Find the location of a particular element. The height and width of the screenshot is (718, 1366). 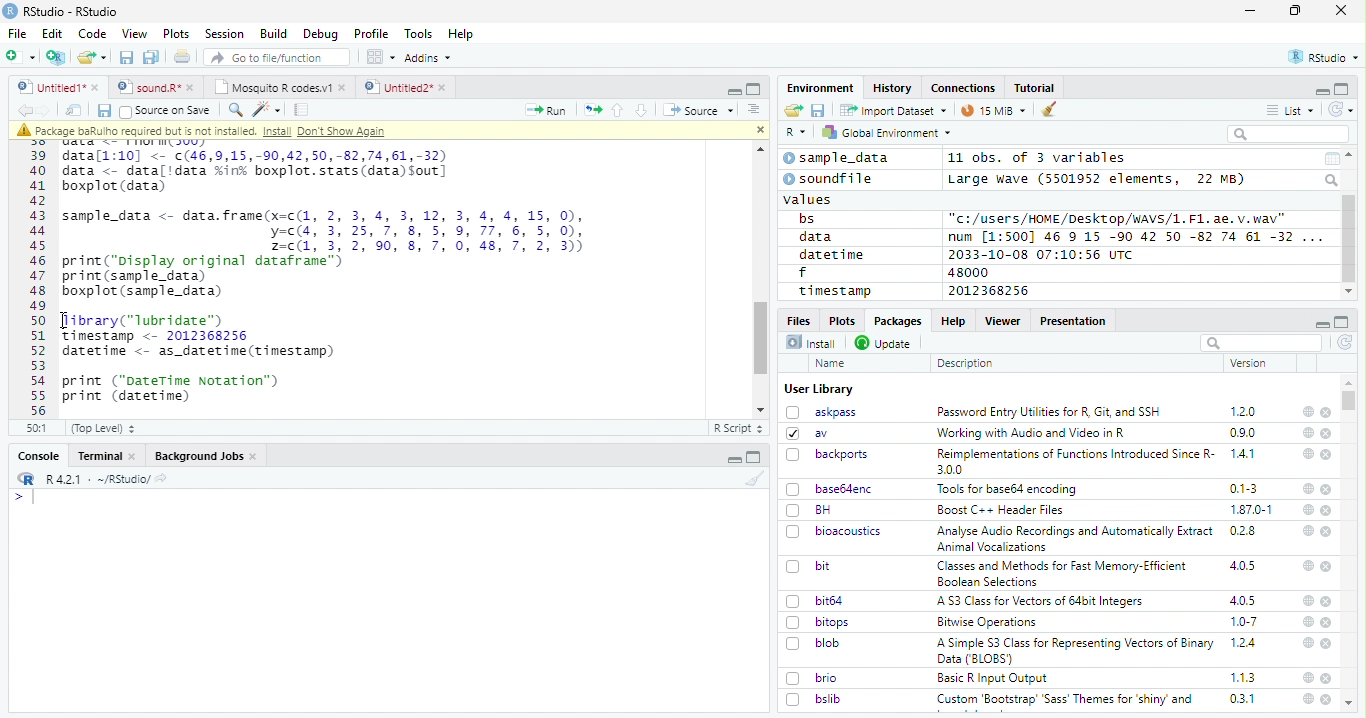

2012368256 is located at coordinates (992, 291).